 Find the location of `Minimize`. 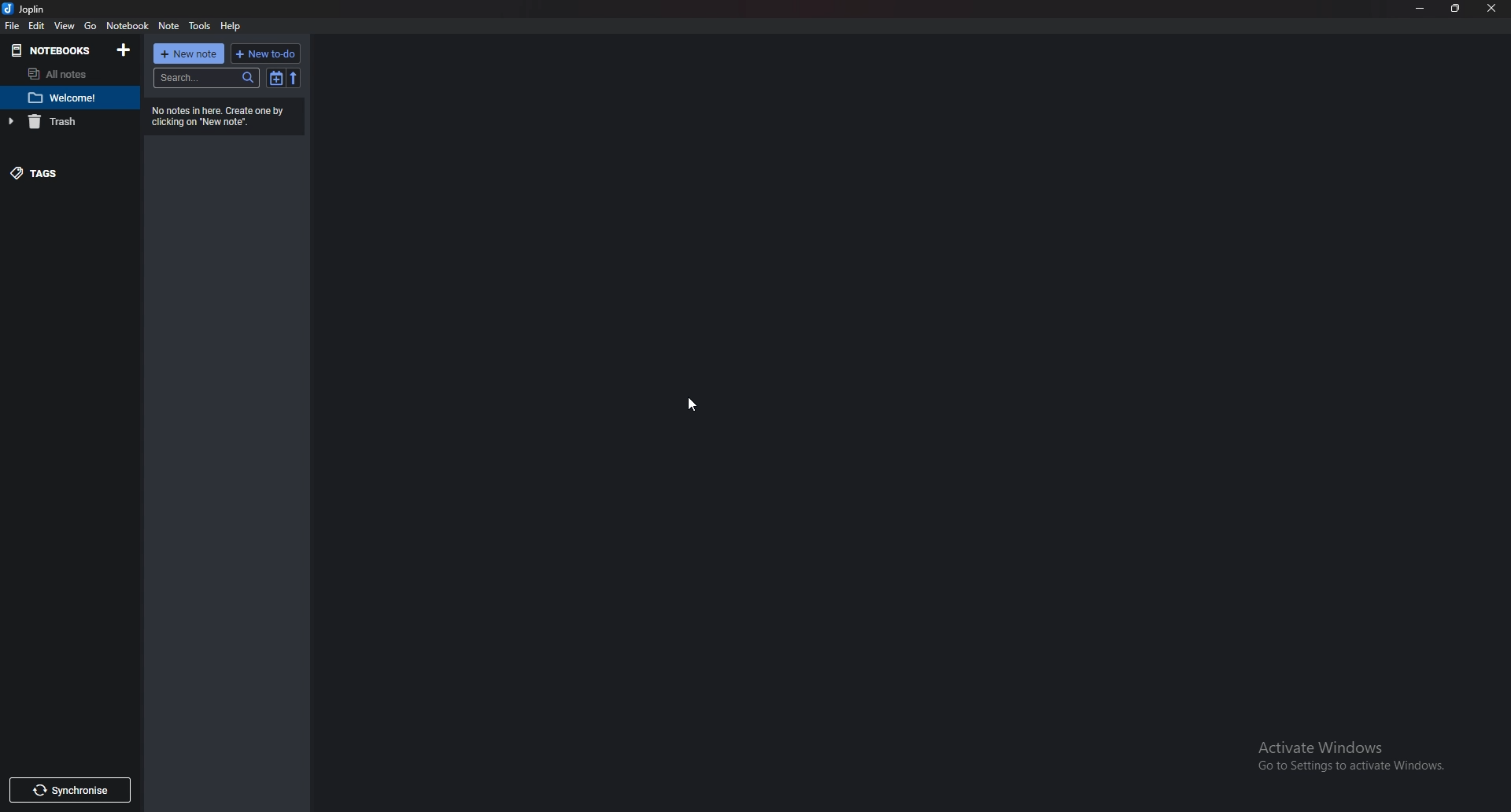

Minimize is located at coordinates (1420, 9).